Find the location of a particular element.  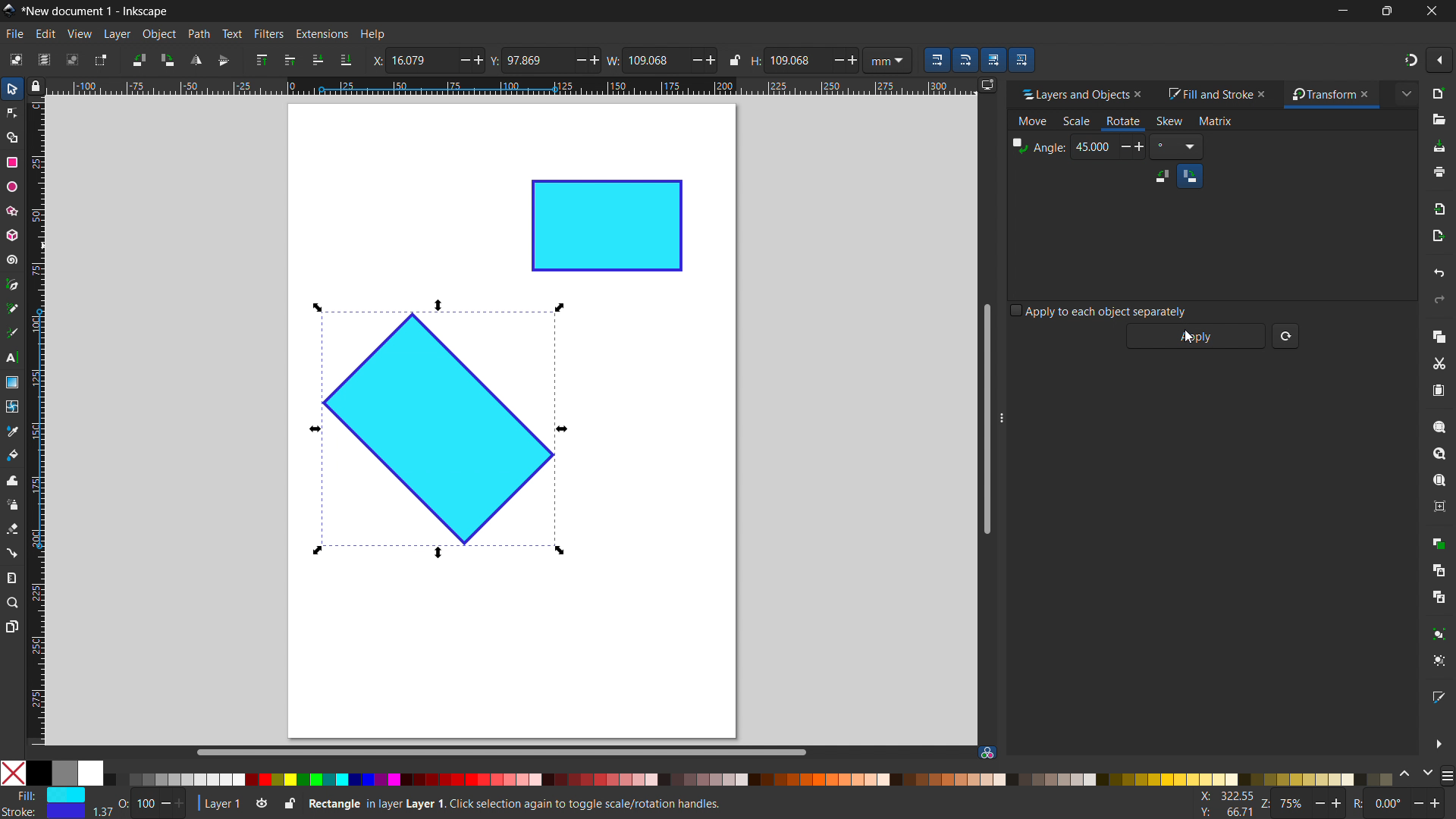

Angle is located at coordinates (1038, 147).